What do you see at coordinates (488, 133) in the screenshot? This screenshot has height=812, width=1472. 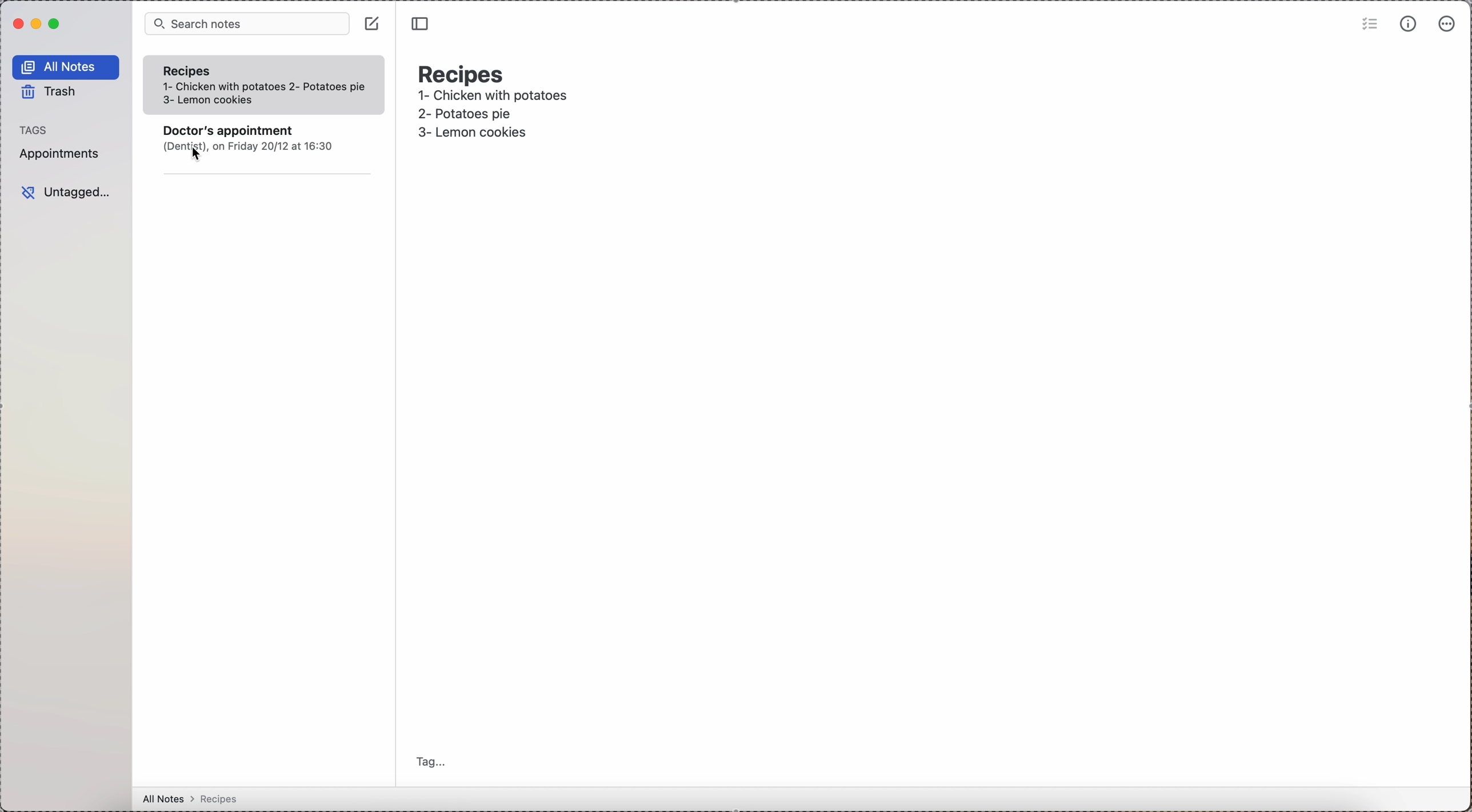 I see `3-Lemon cookies` at bounding box center [488, 133].